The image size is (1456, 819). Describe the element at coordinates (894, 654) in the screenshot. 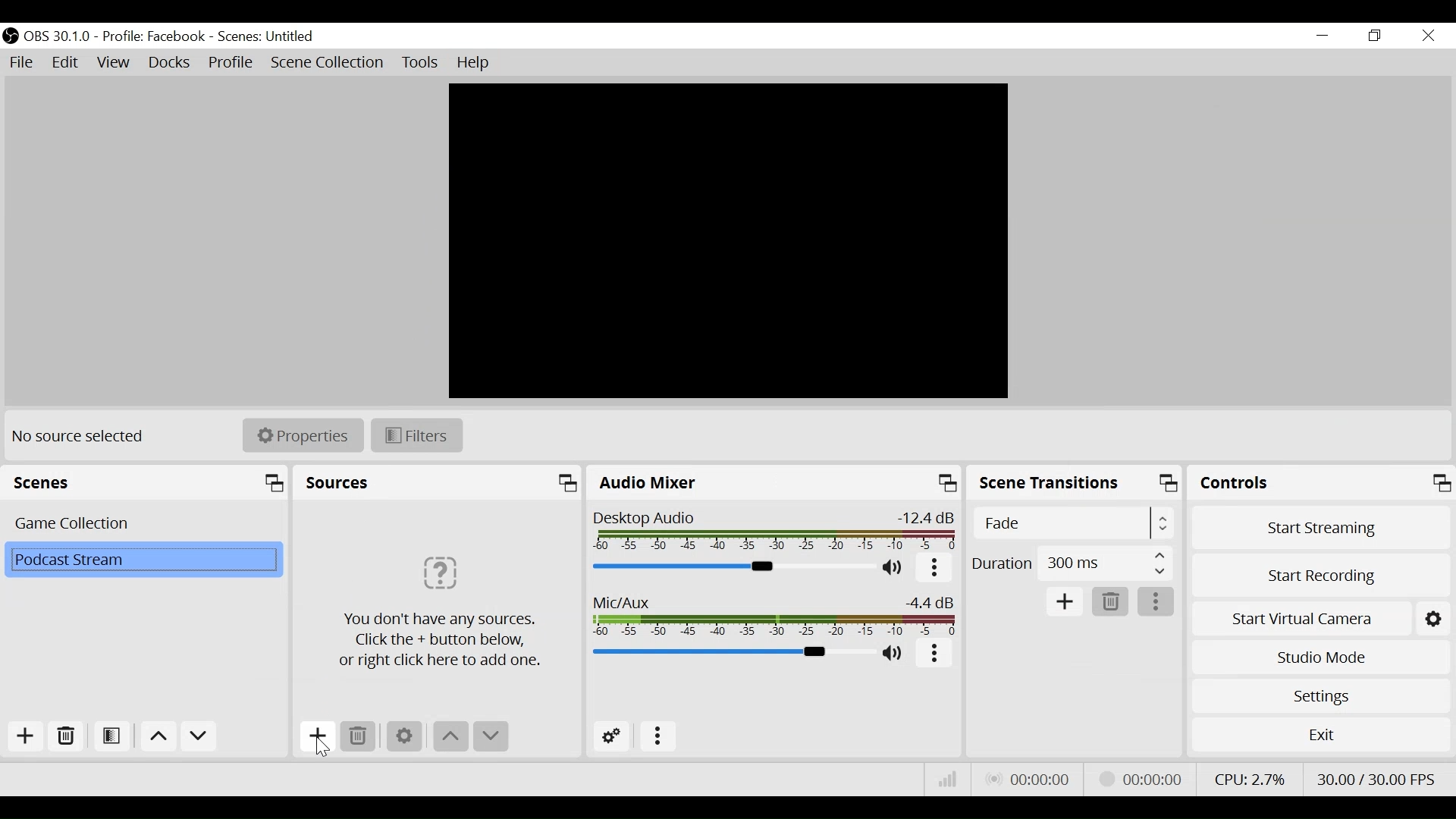

I see `(un)mute` at that location.